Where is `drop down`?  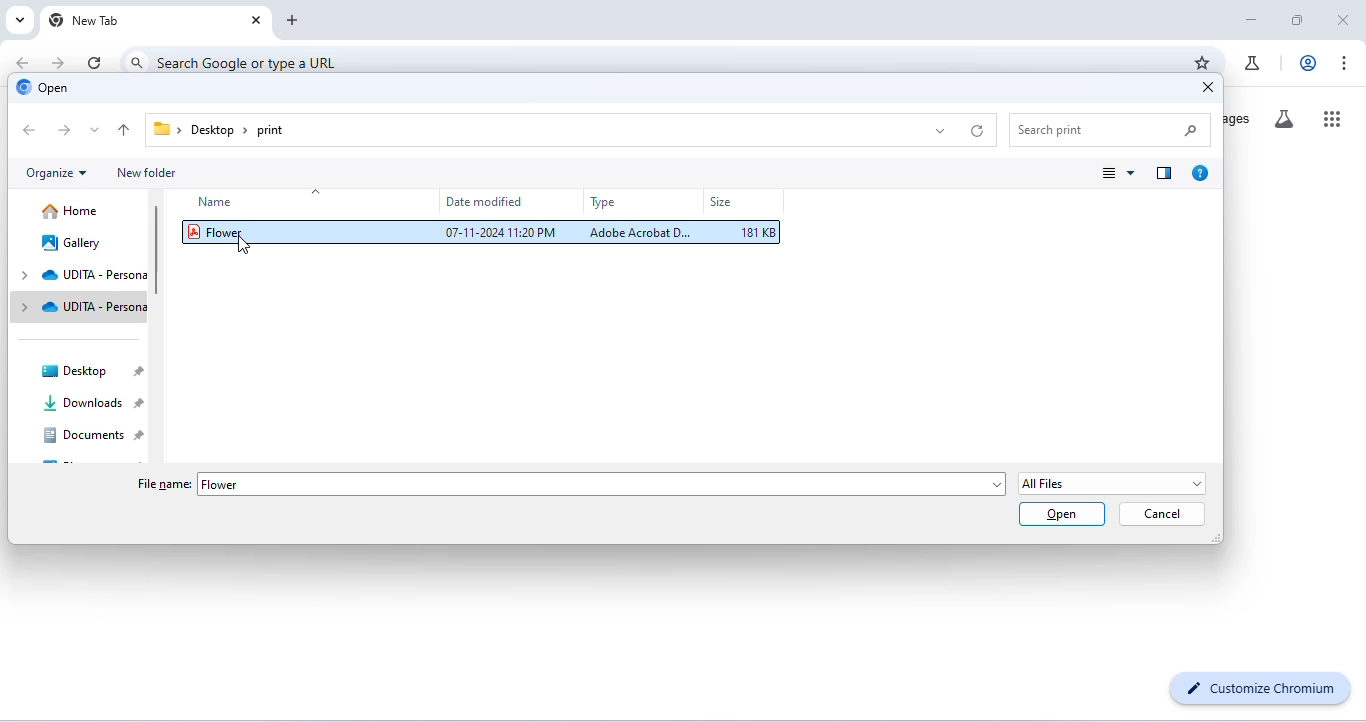
drop down is located at coordinates (96, 130).